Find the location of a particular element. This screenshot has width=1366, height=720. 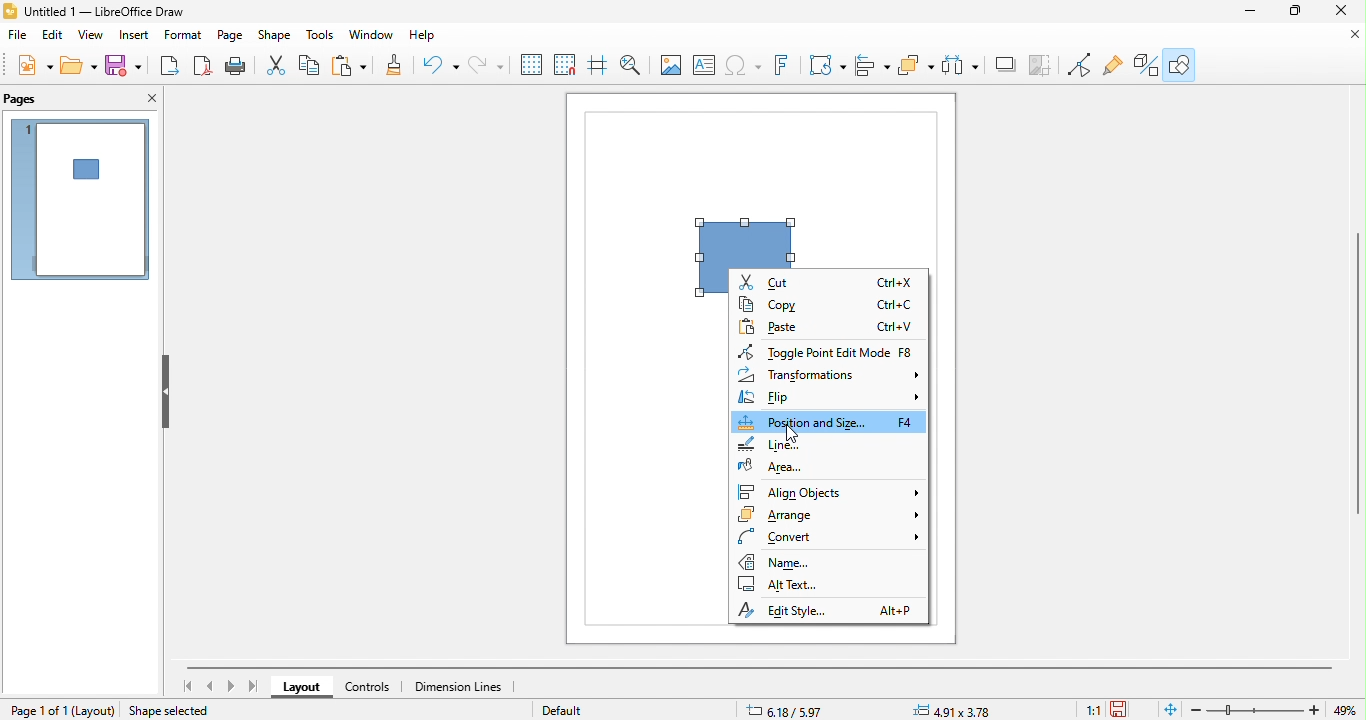

print is located at coordinates (235, 66).